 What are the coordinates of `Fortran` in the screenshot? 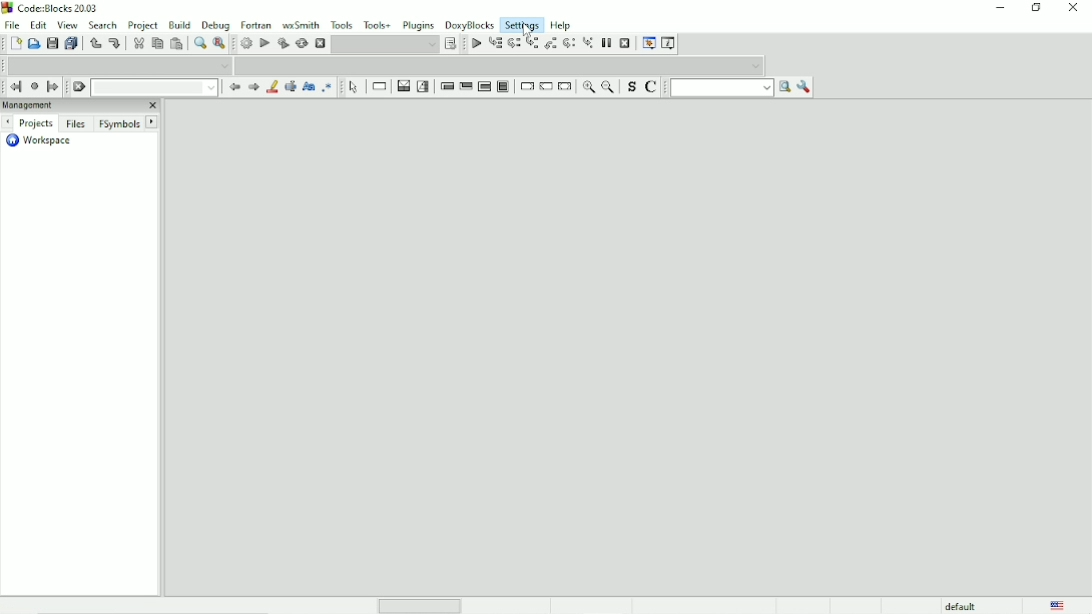 It's located at (255, 23).